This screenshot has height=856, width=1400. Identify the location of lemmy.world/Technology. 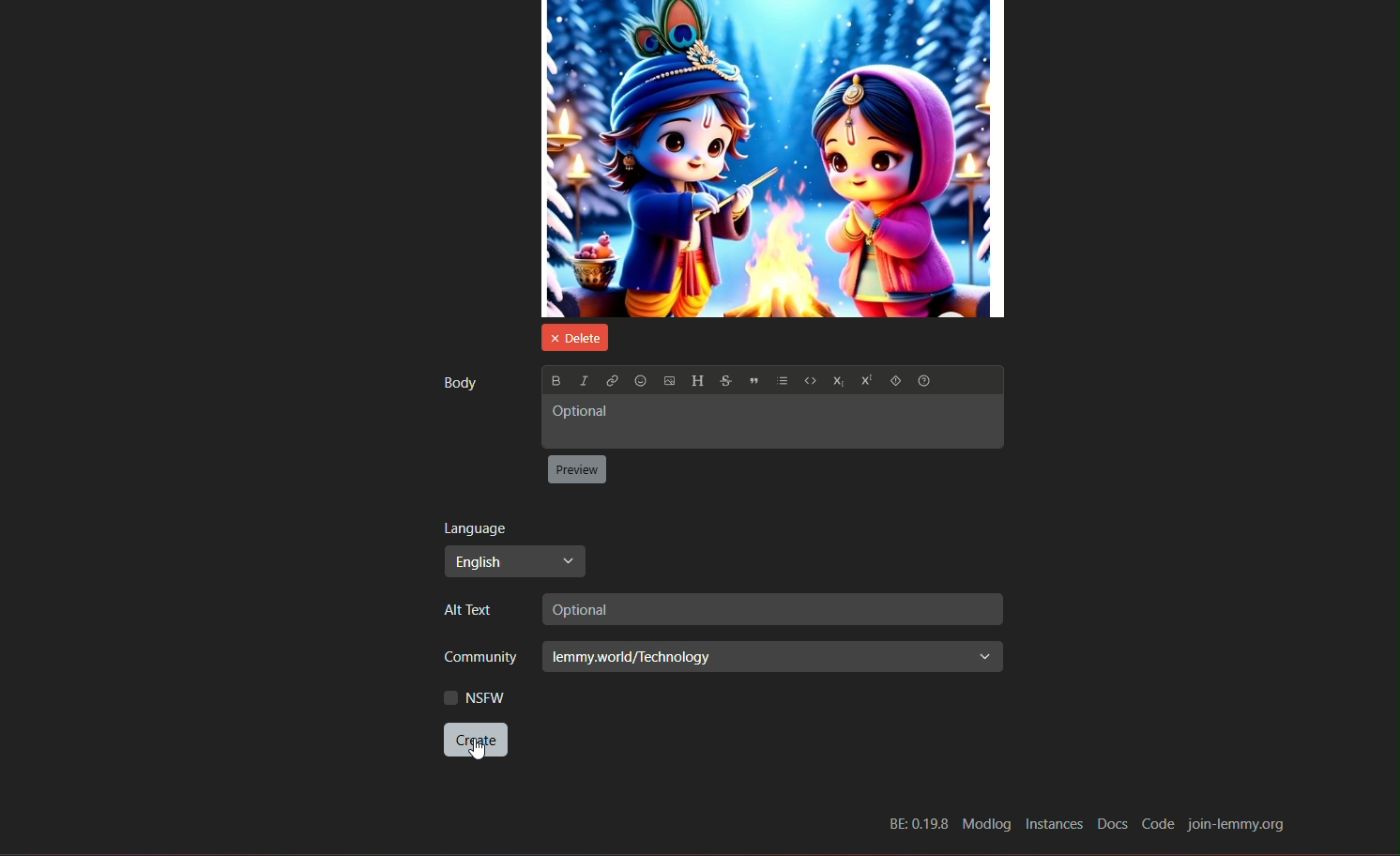
(773, 656).